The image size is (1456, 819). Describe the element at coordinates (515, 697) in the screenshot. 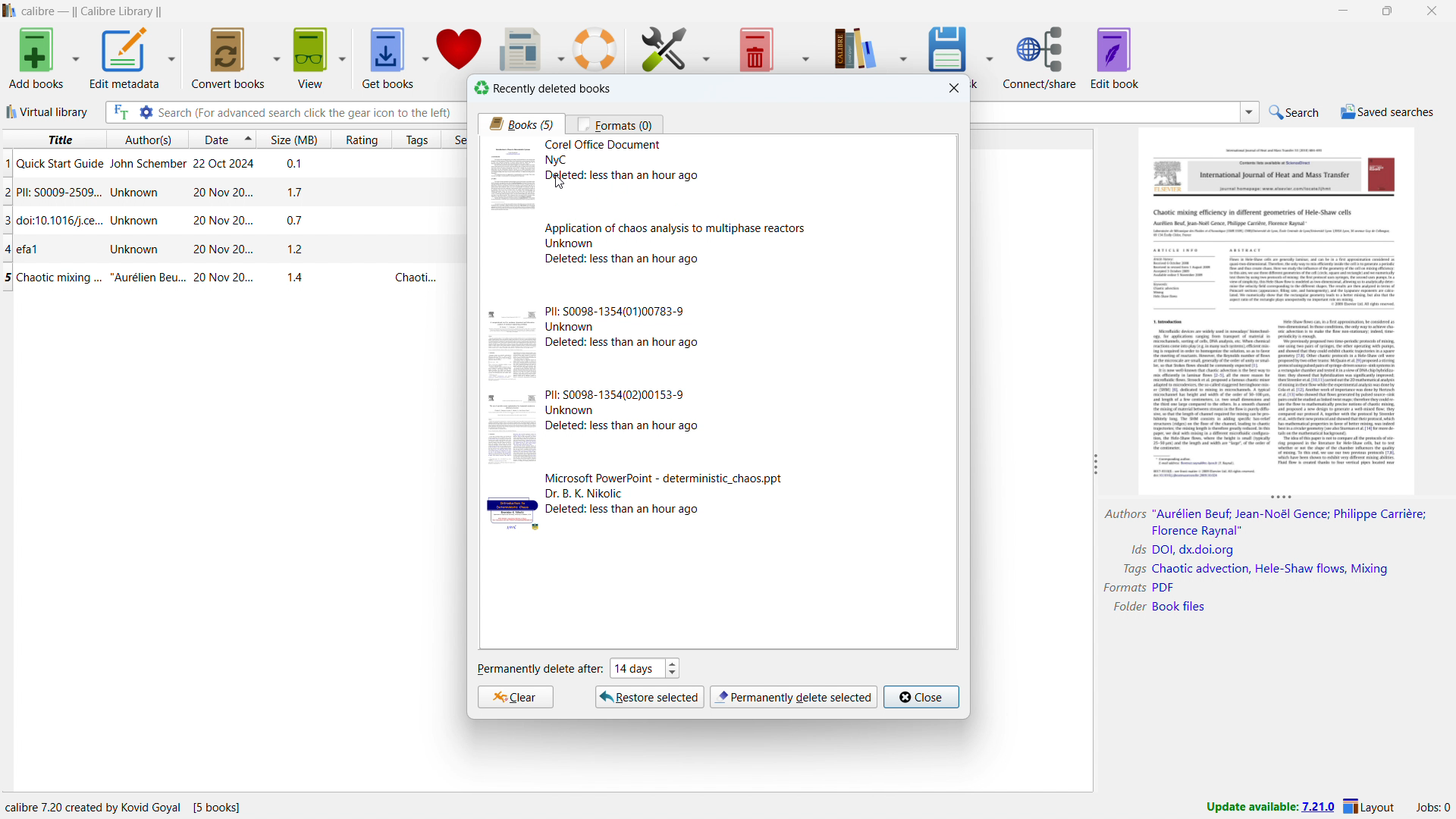

I see `clear` at that location.